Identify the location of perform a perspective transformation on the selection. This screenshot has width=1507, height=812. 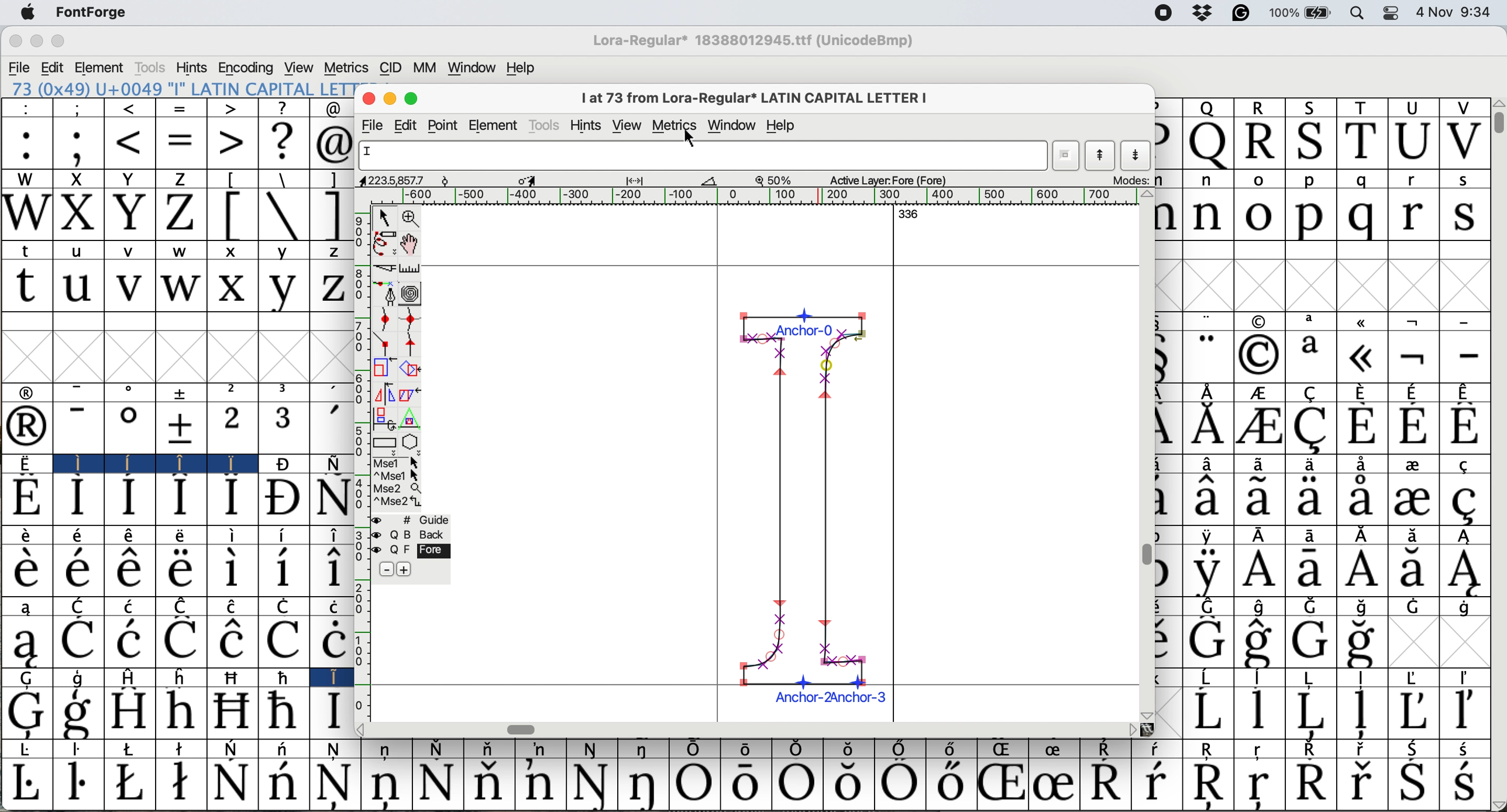
(412, 418).